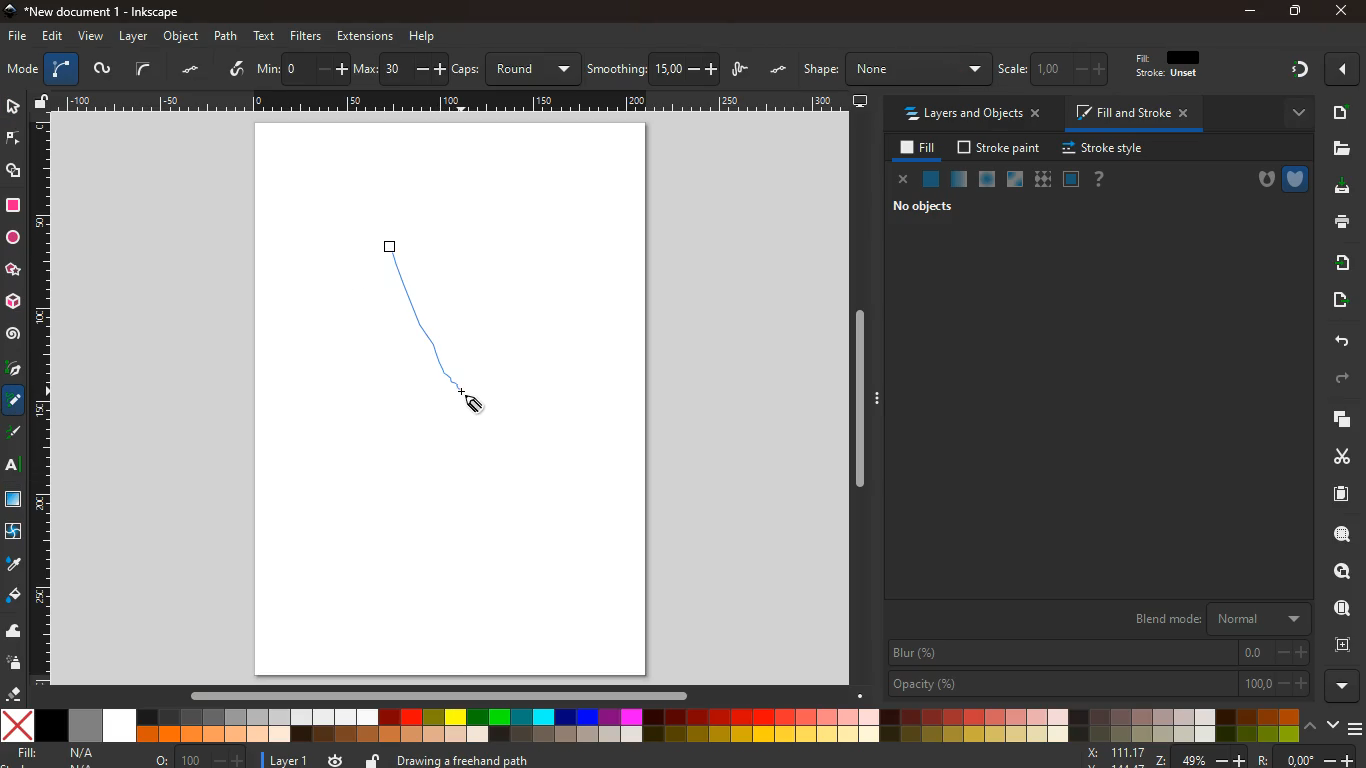 This screenshot has width=1366, height=768. Describe the element at coordinates (1221, 757) in the screenshot. I see `zoom` at that location.